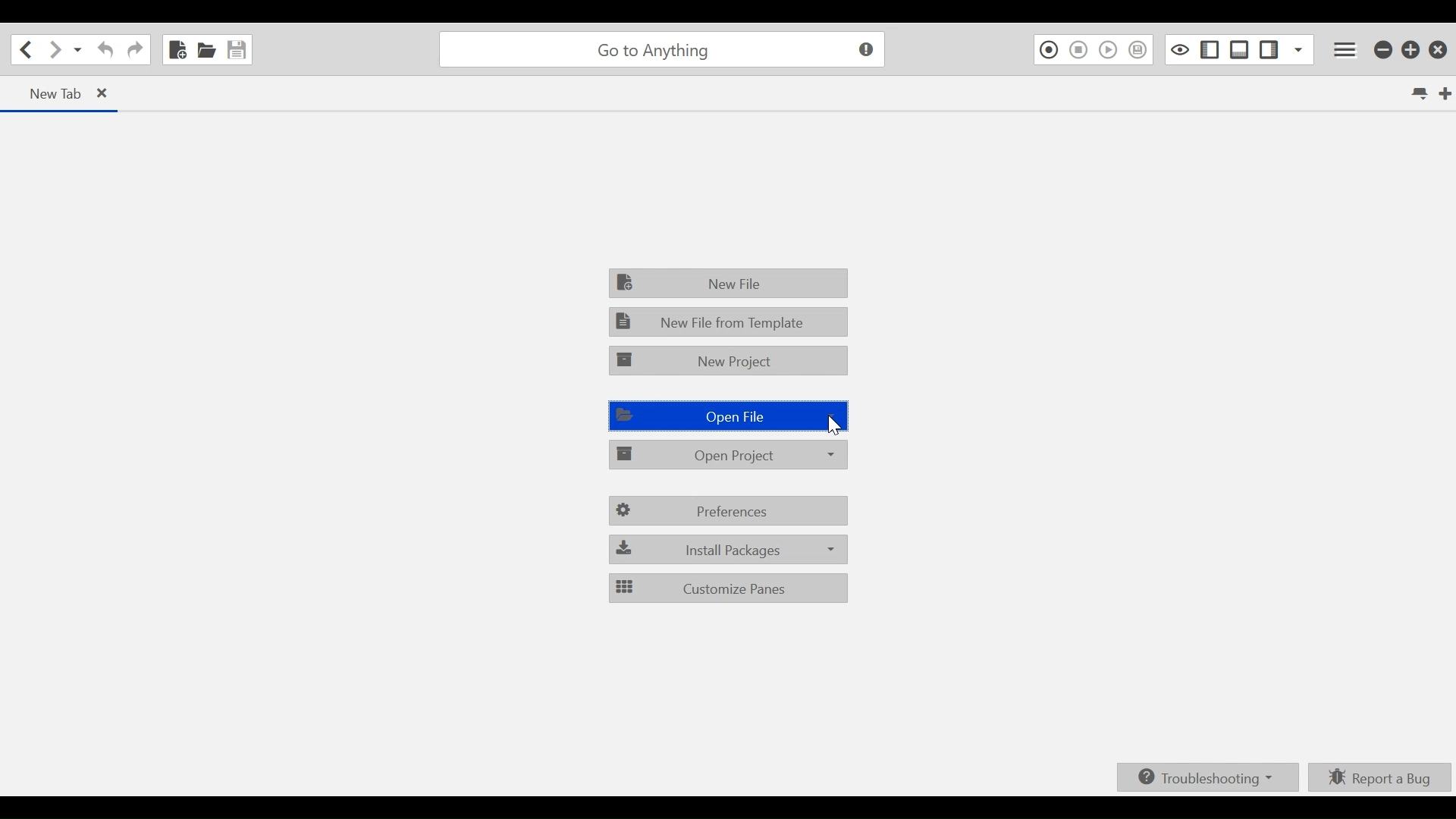 The height and width of the screenshot is (819, 1456). What do you see at coordinates (1212, 49) in the screenshot?
I see `Show/Hide Left Pane` at bounding box center [1212, 49].